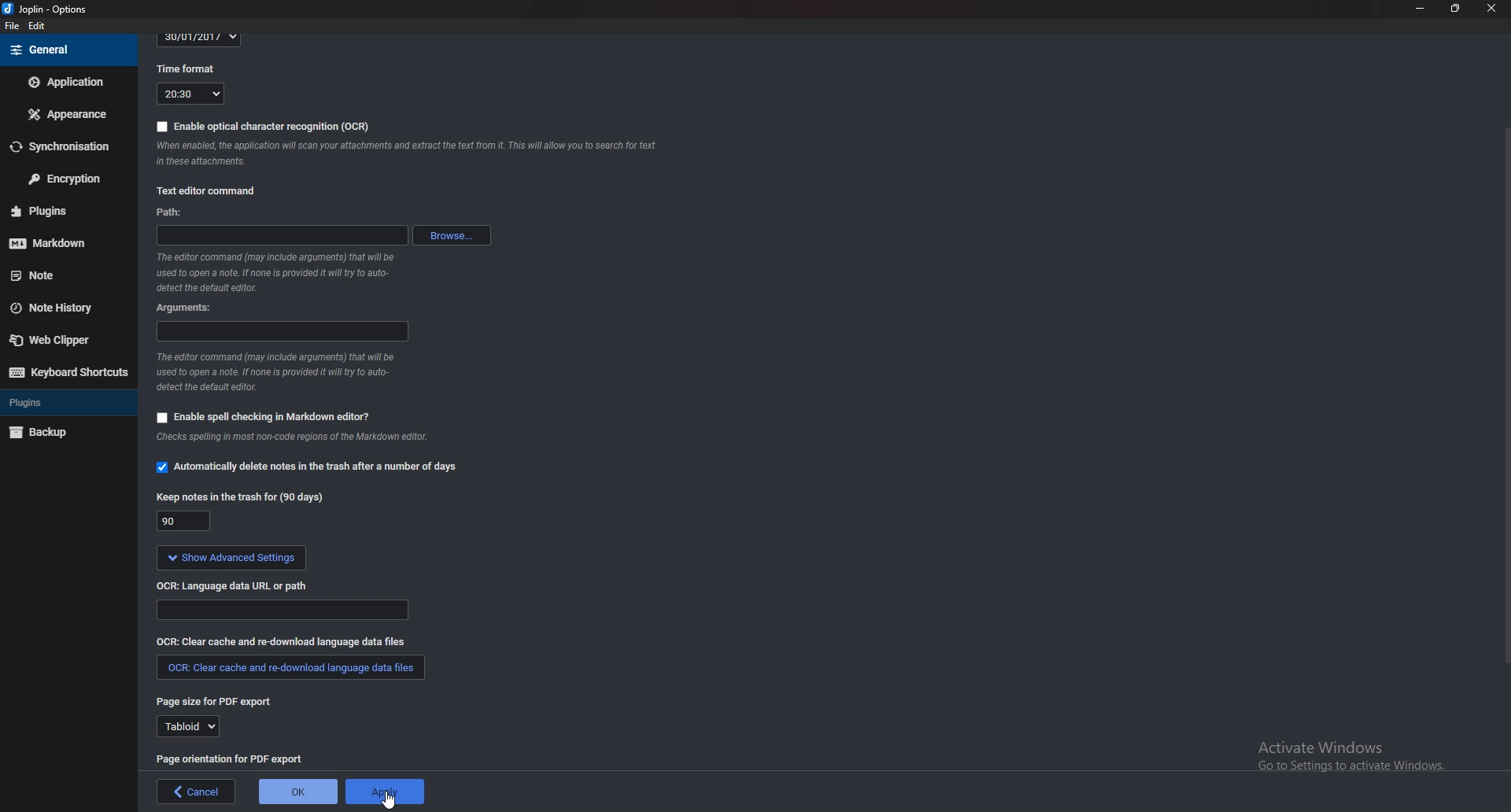  I want to click on activate windows, so click(1350, 764).